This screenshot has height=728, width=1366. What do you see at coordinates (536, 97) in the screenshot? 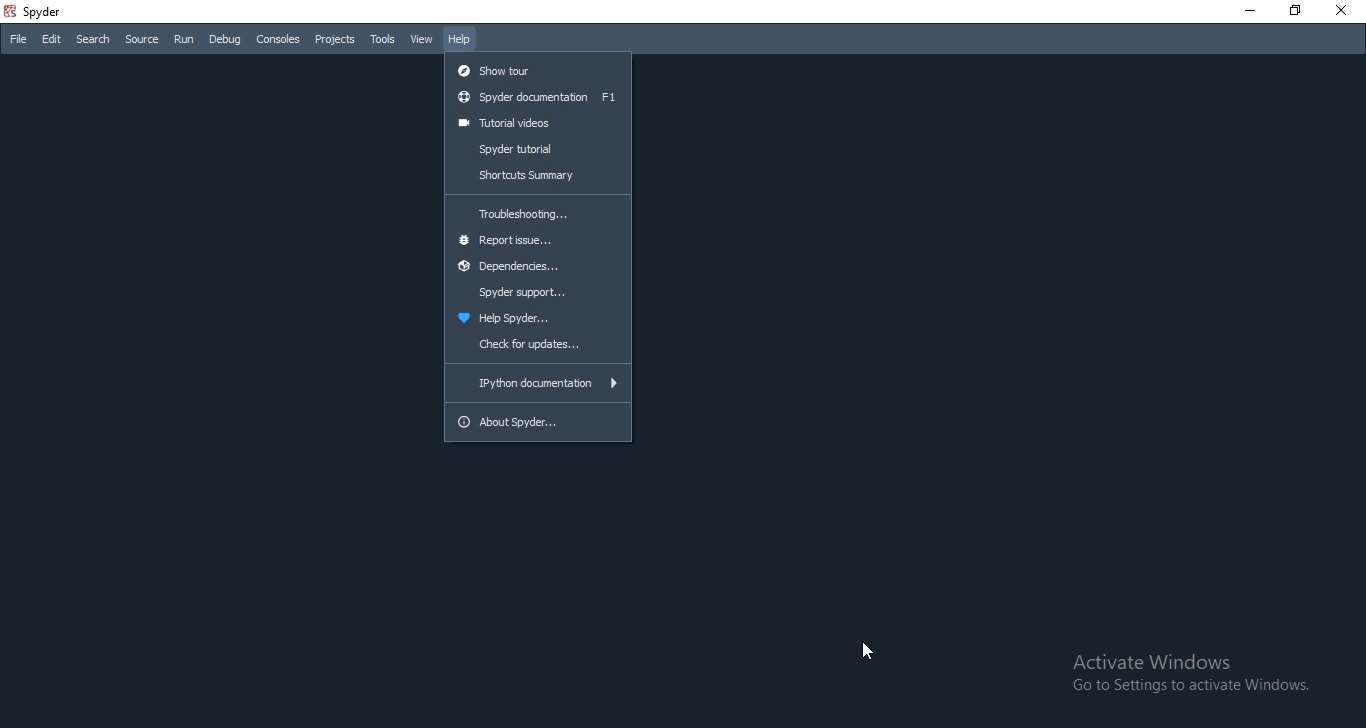
I see `spyder documentation` at bounding box center [536, 97].